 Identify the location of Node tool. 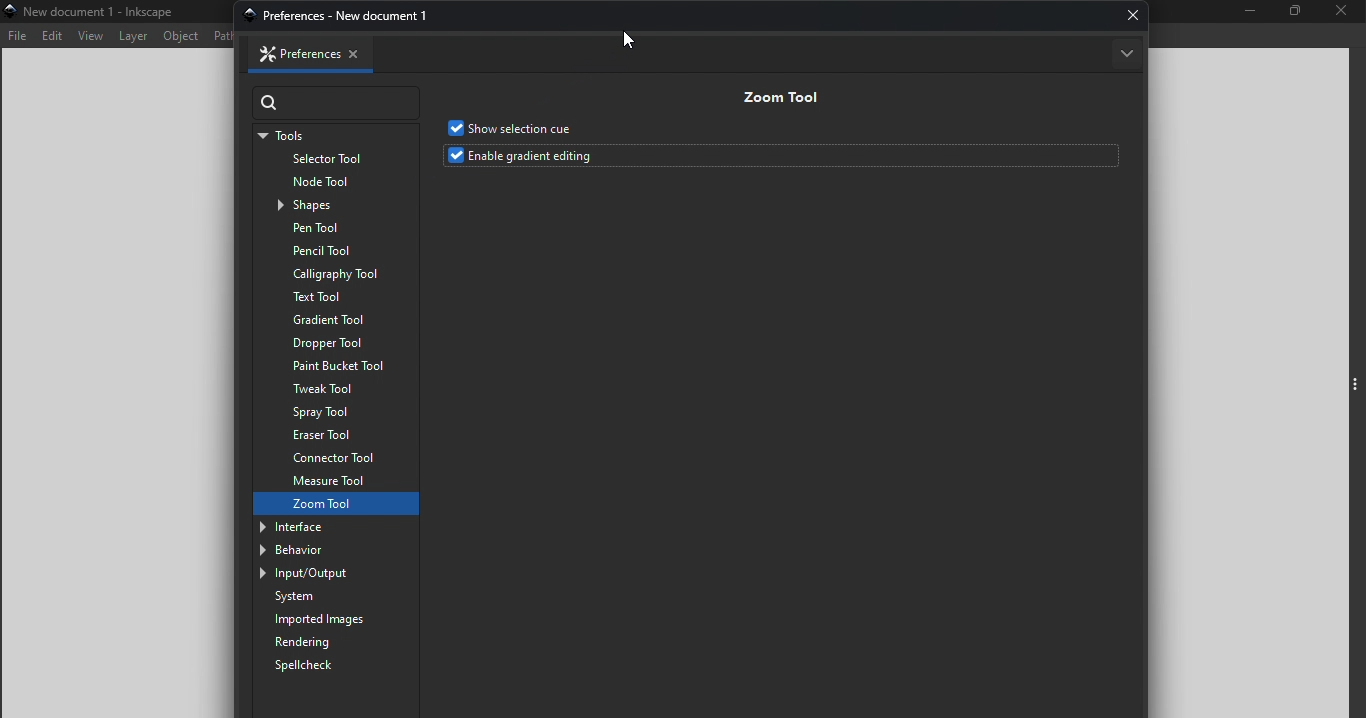
(315, 183).